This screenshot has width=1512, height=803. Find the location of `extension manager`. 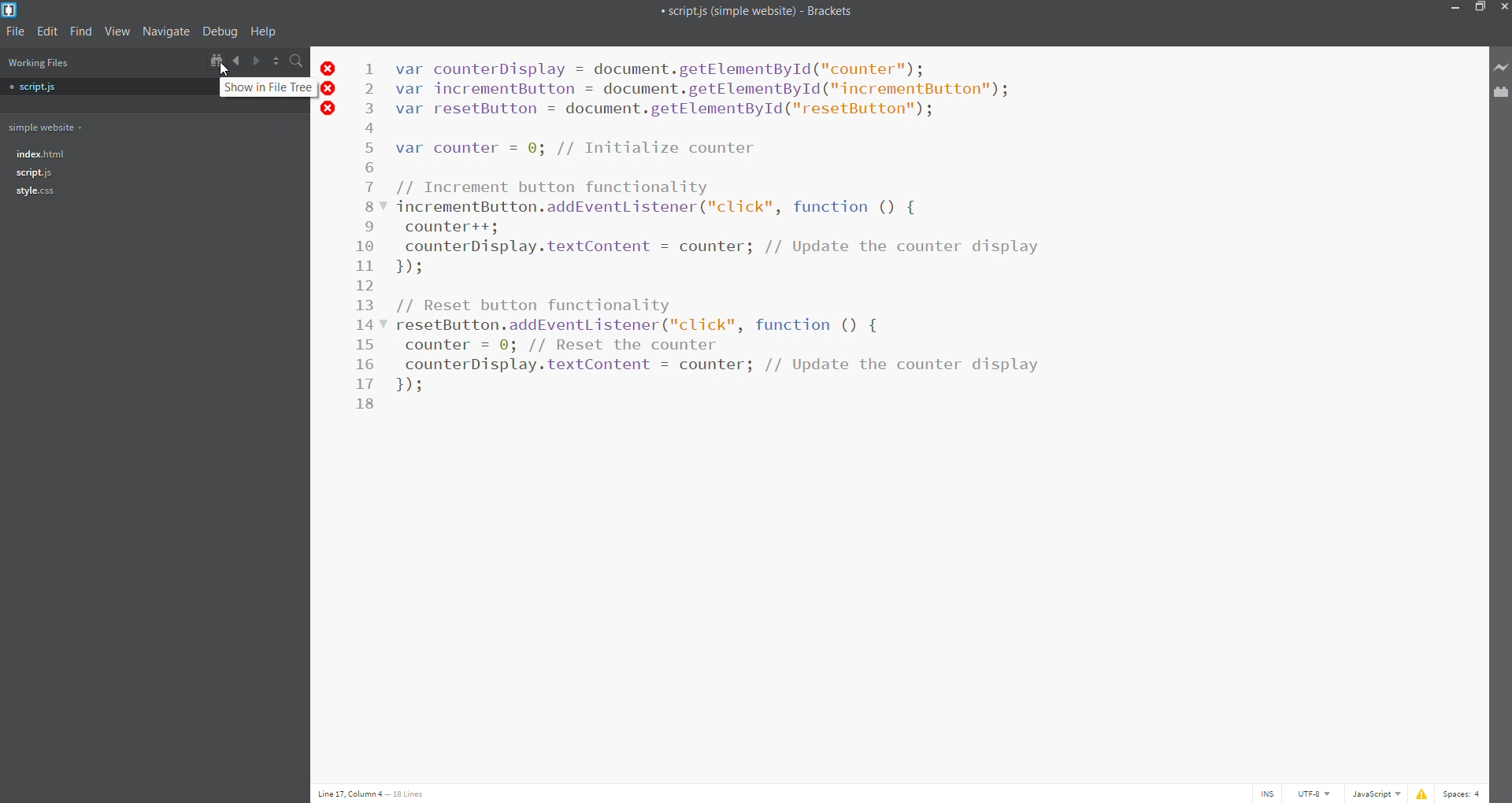

extension manager is located at coordinates (1499, 94).